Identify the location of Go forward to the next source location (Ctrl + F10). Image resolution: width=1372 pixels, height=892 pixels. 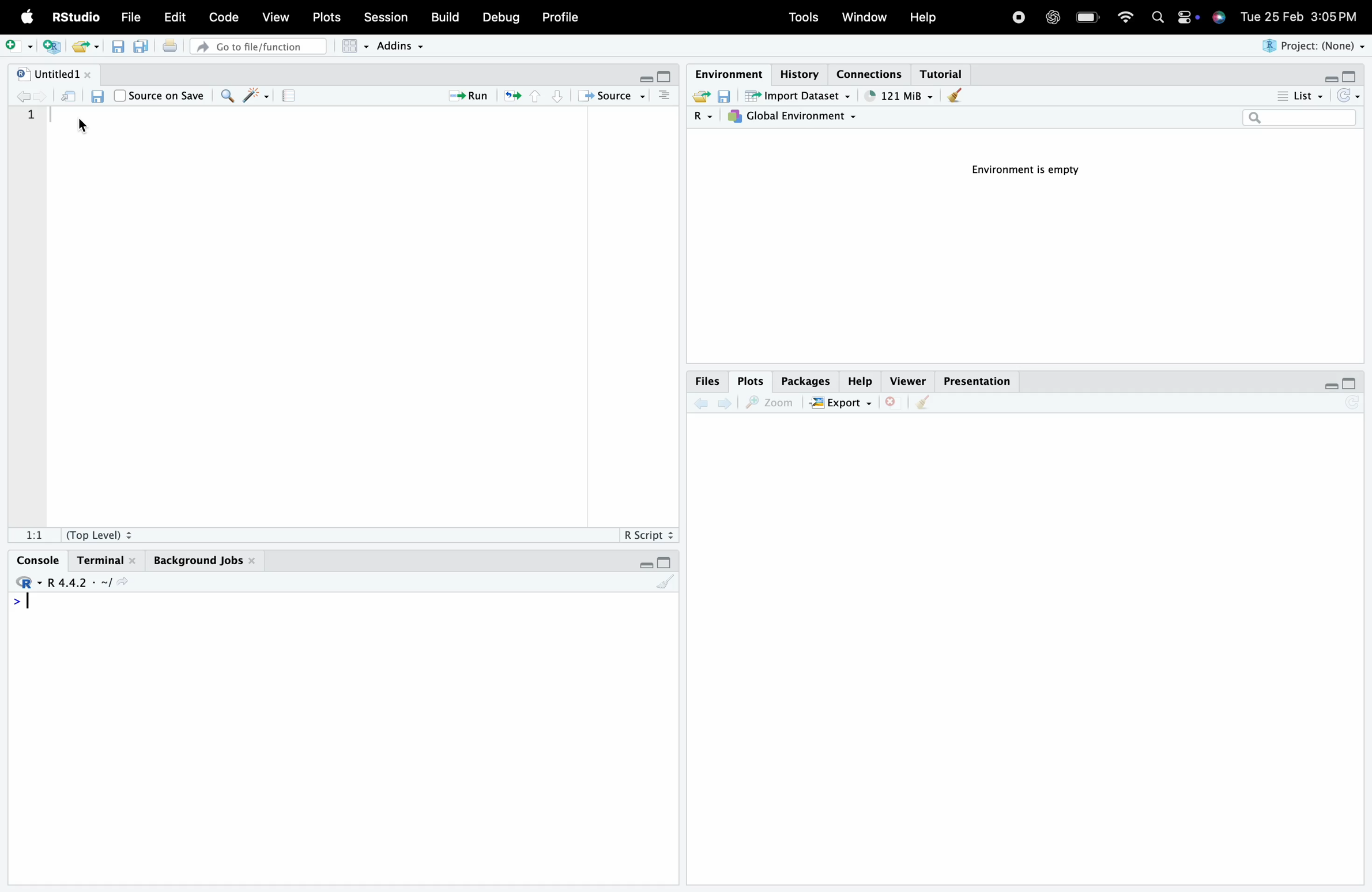
(726, 402).